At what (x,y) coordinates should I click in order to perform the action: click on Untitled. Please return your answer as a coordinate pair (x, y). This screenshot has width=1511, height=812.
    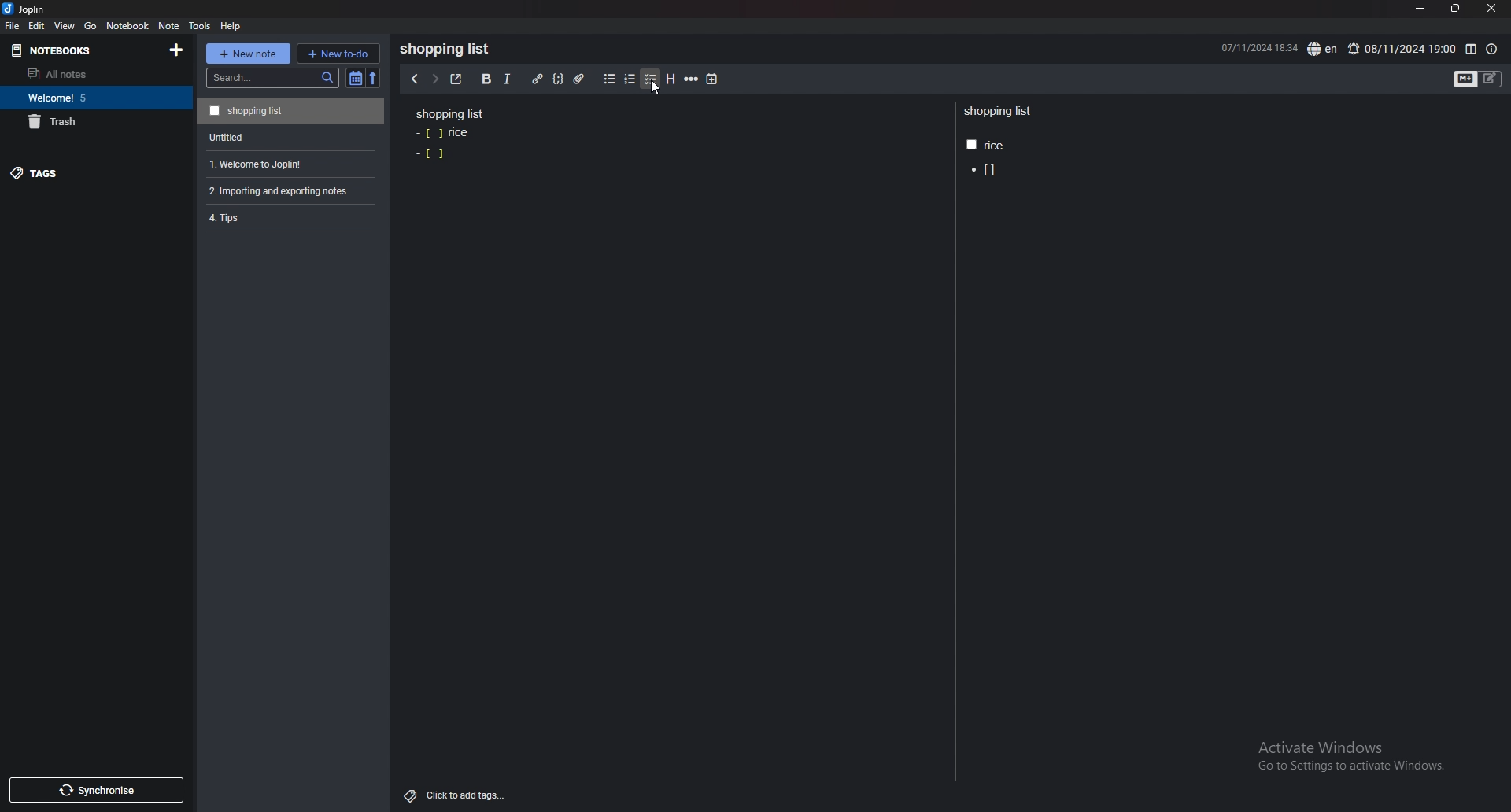
    Looking at the image, I should click on (288, 136).